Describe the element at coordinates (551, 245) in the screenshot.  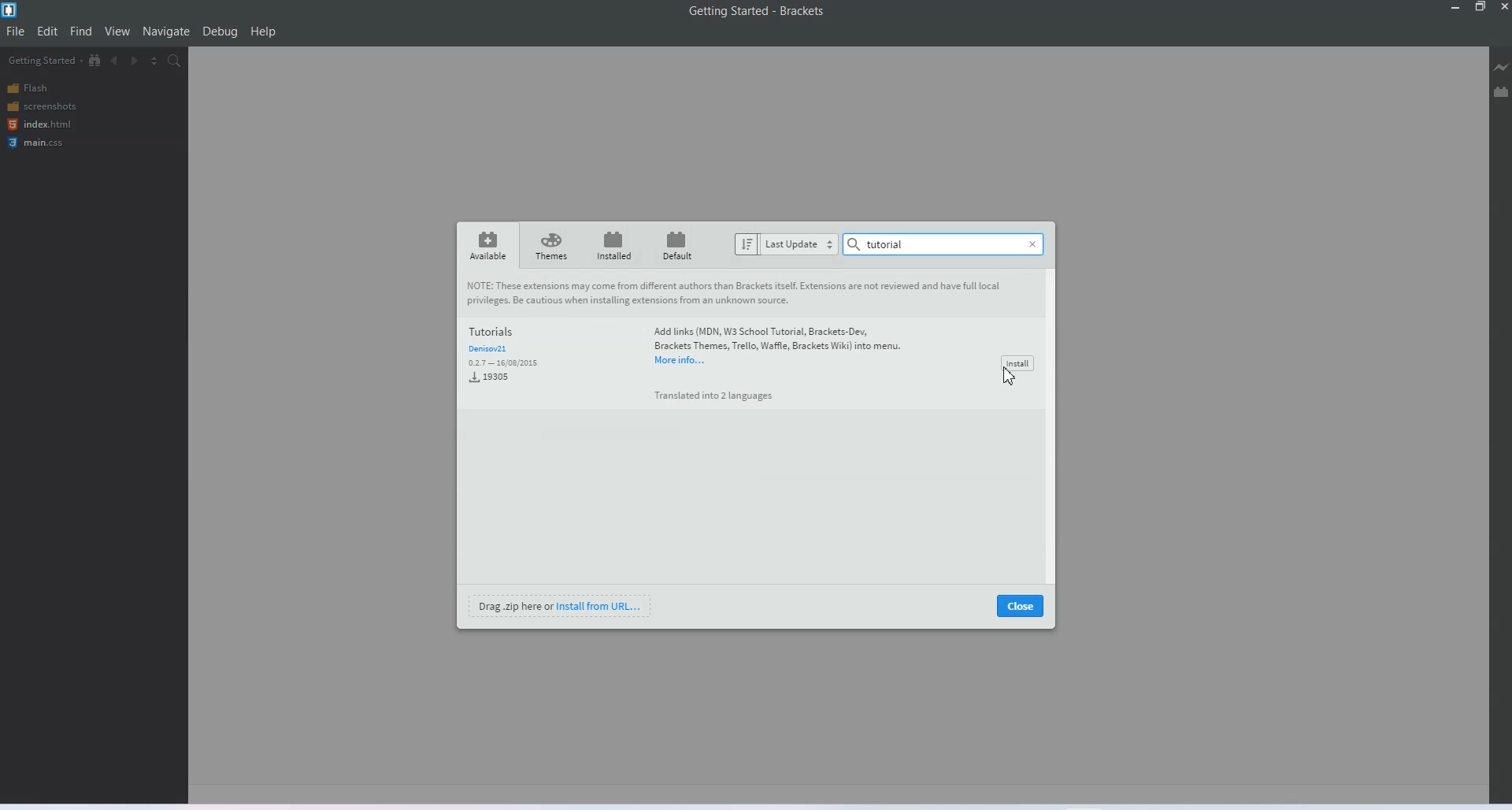
I see `Theme` at that location.